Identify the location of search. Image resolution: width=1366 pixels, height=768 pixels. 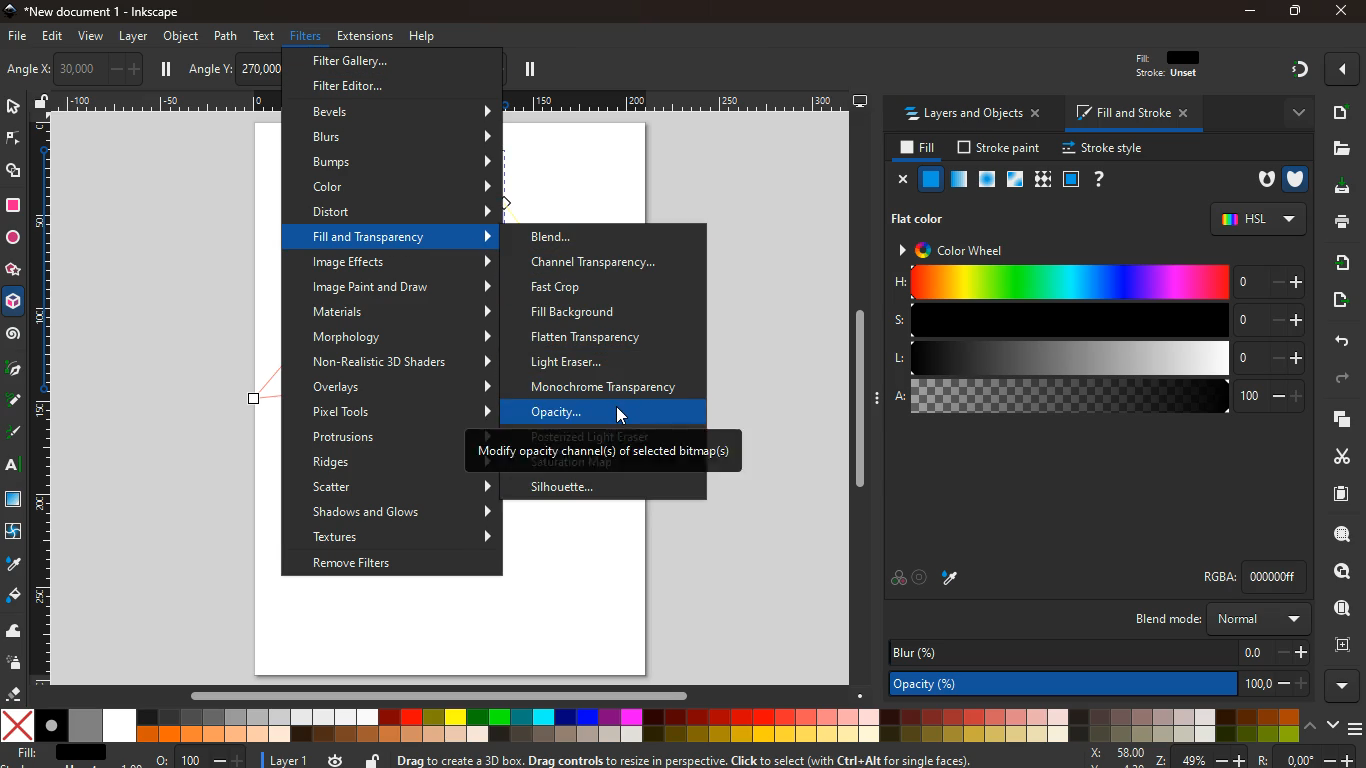
(1338, 536).